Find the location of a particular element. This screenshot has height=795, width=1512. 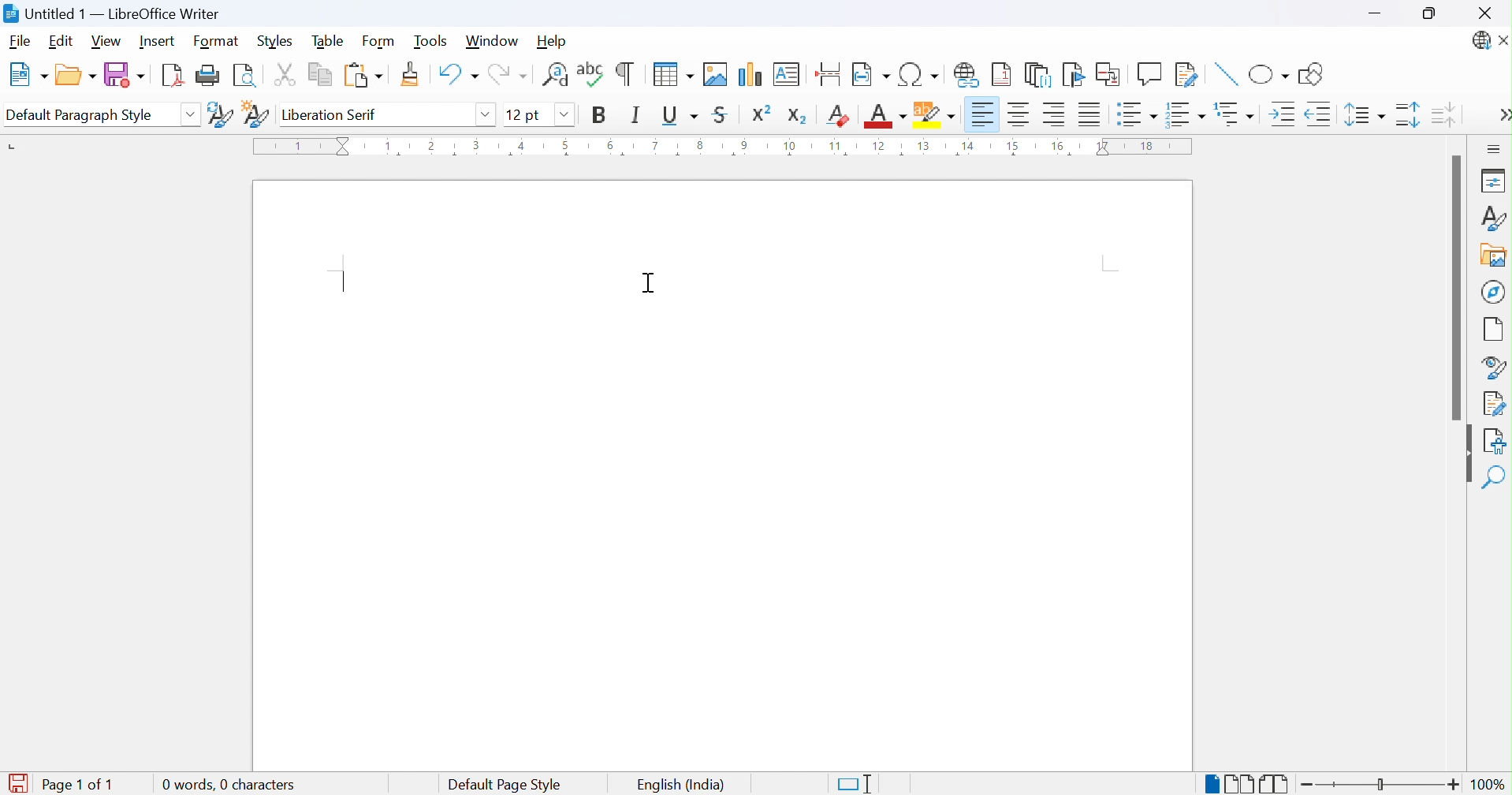

Single-page view is located at coordinates (1215, 786).